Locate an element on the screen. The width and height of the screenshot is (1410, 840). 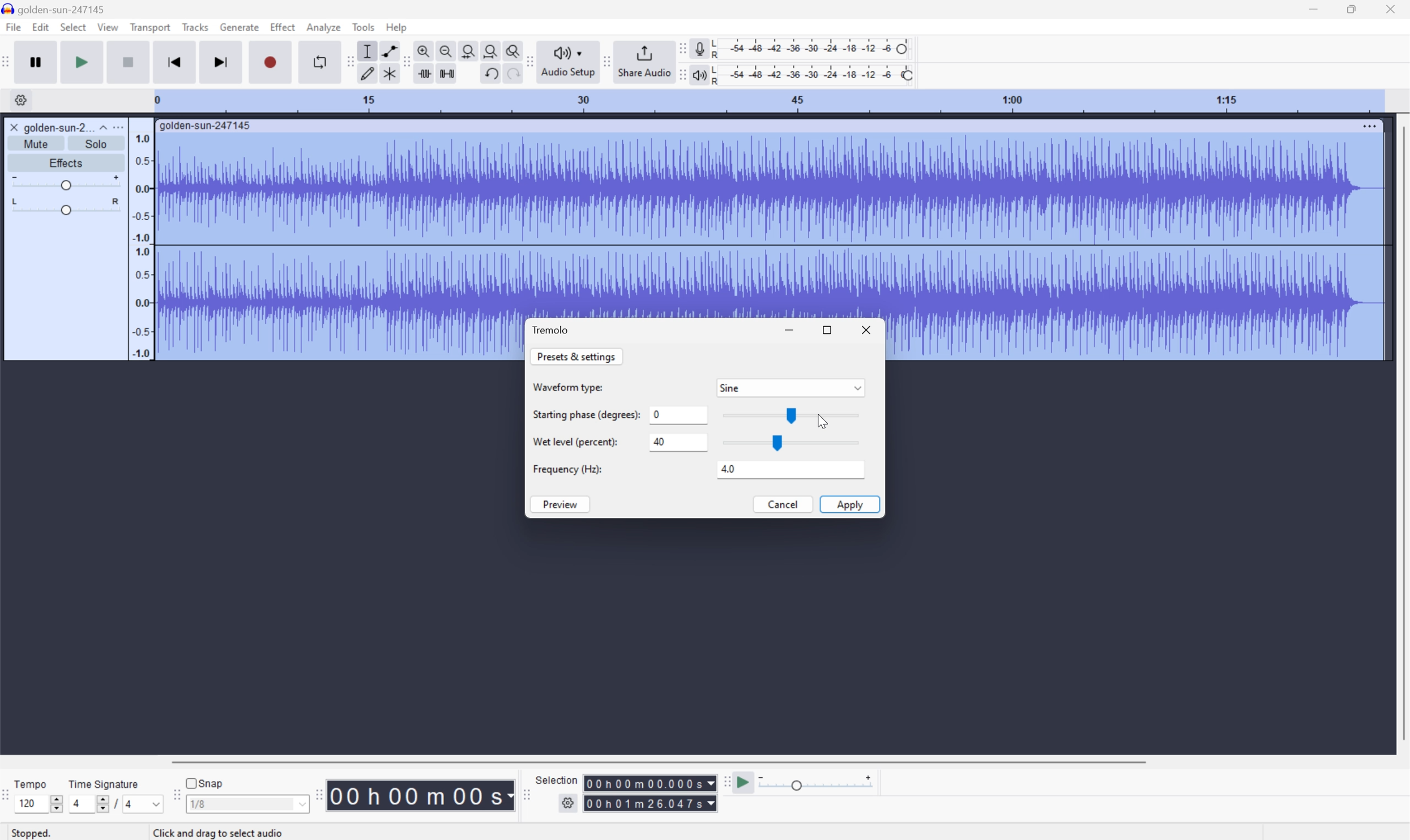
Transport is located at coordinates (150, 27).